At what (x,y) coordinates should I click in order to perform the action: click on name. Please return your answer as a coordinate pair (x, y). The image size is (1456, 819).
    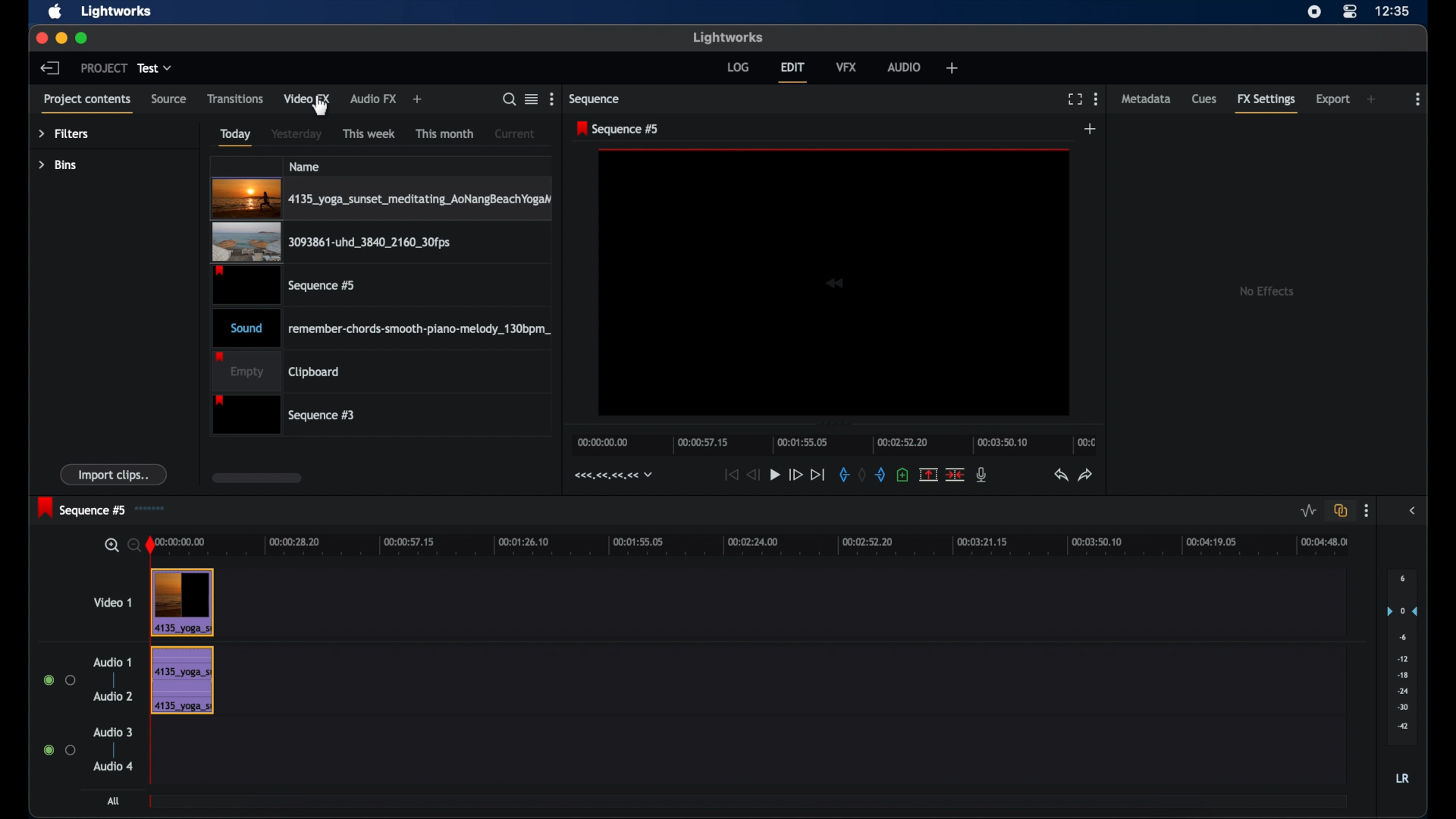
    Looking at the image, I should click on (305, 166).